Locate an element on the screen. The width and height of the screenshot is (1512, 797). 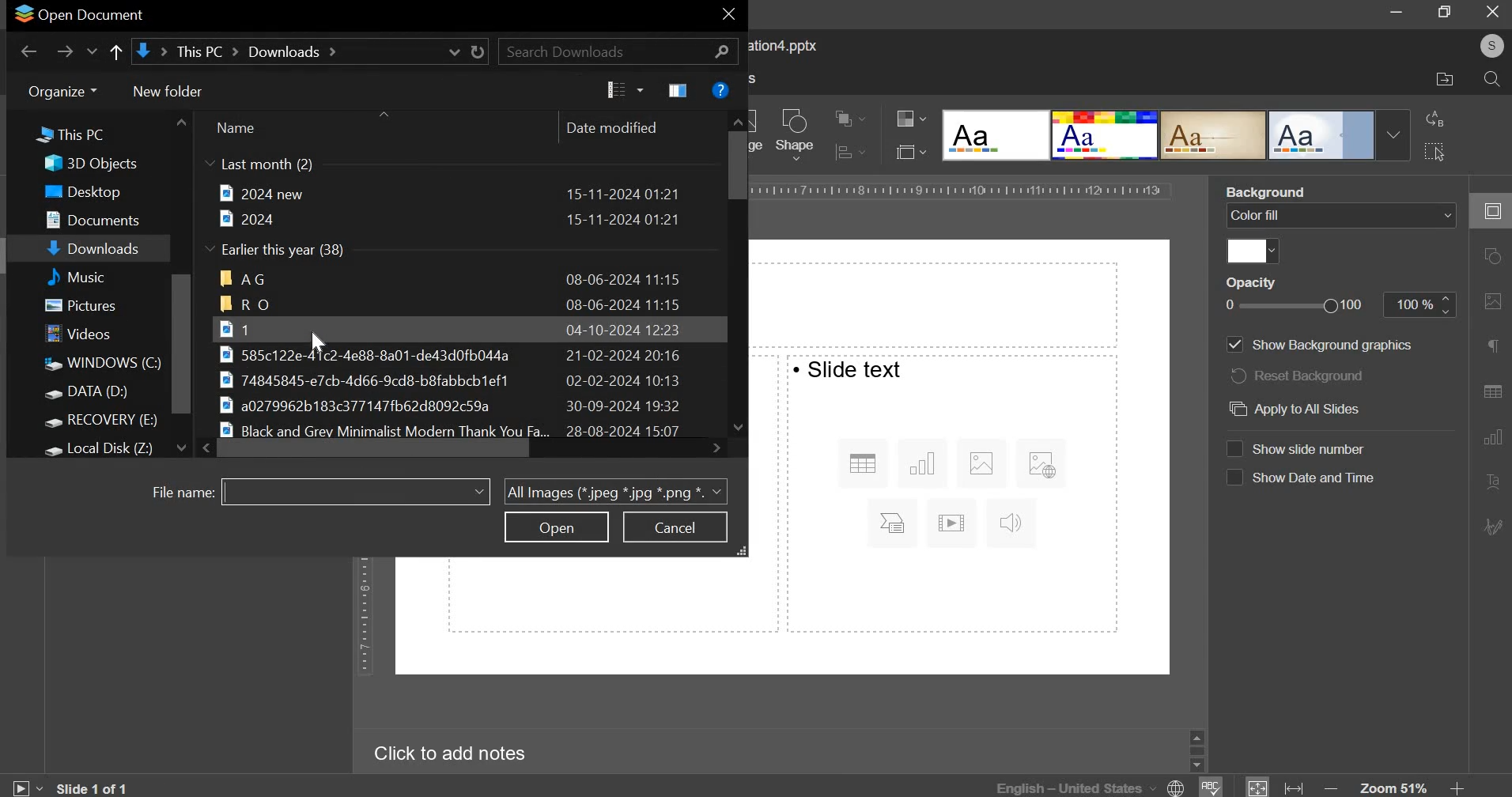
this pc is located at coordinates (62, 137).